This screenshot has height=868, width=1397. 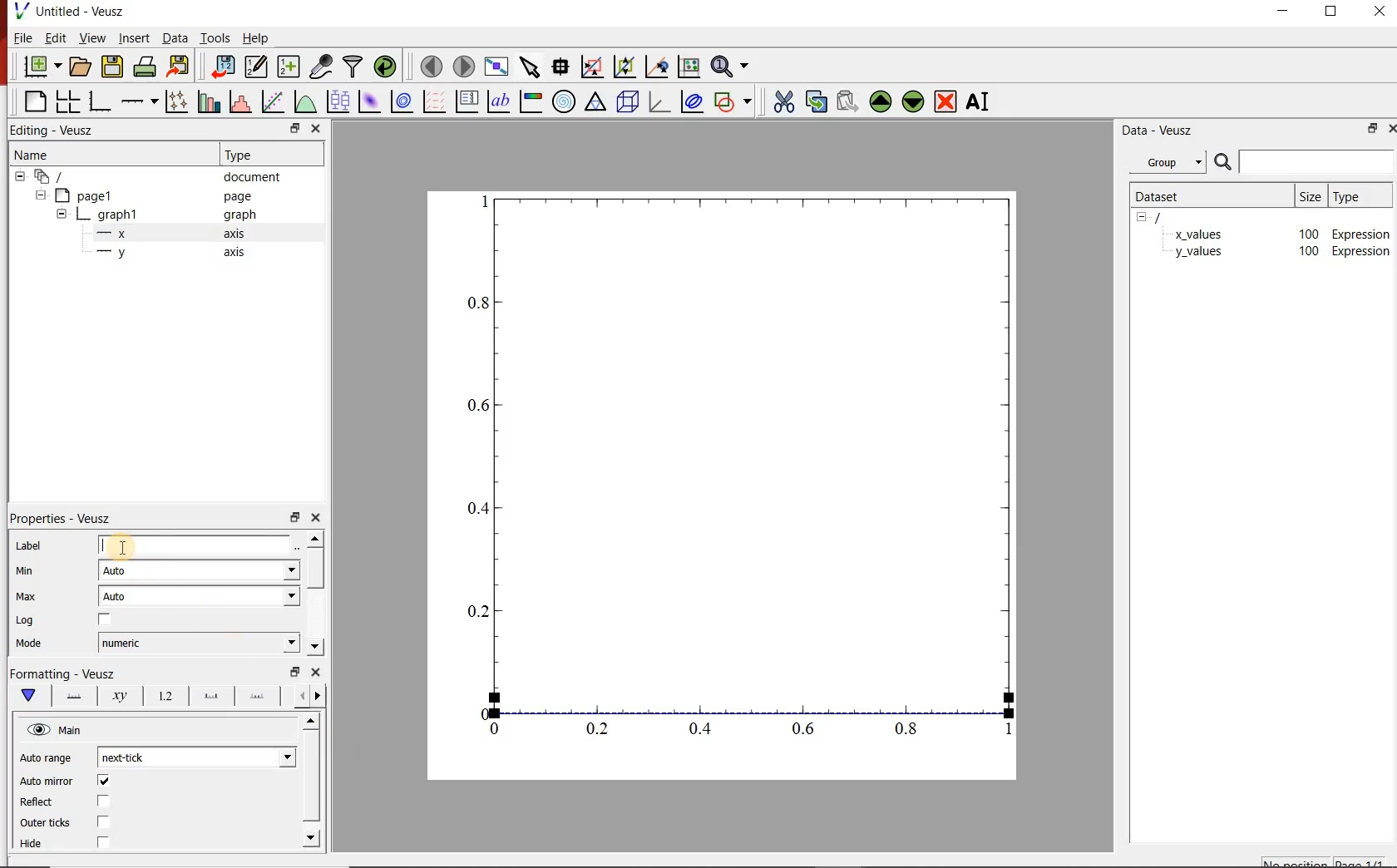 I want to click on |Formatting - Veusz, so click(x=71, y=673).